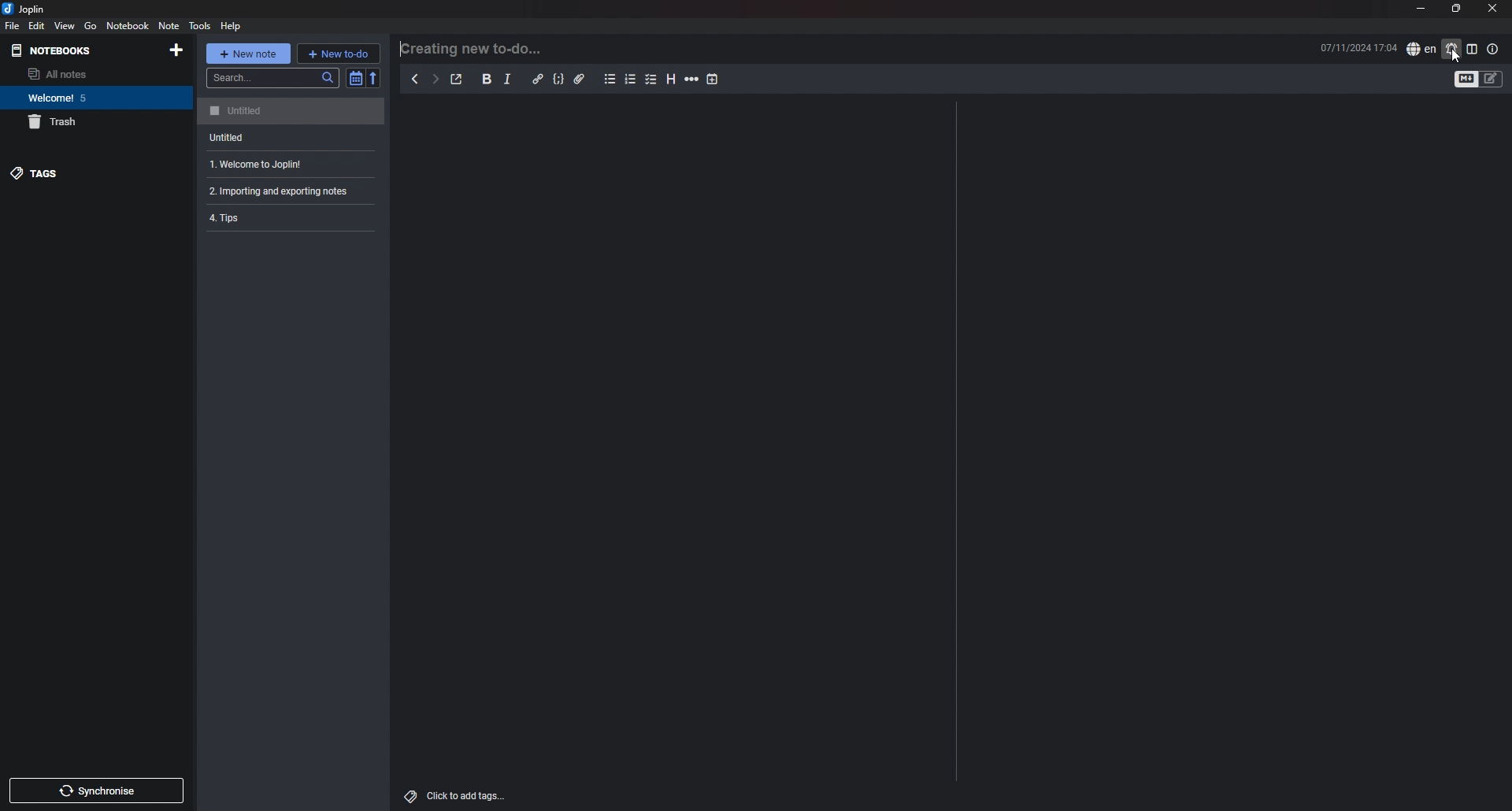  I want to click on minimize, so click(1419, 8).